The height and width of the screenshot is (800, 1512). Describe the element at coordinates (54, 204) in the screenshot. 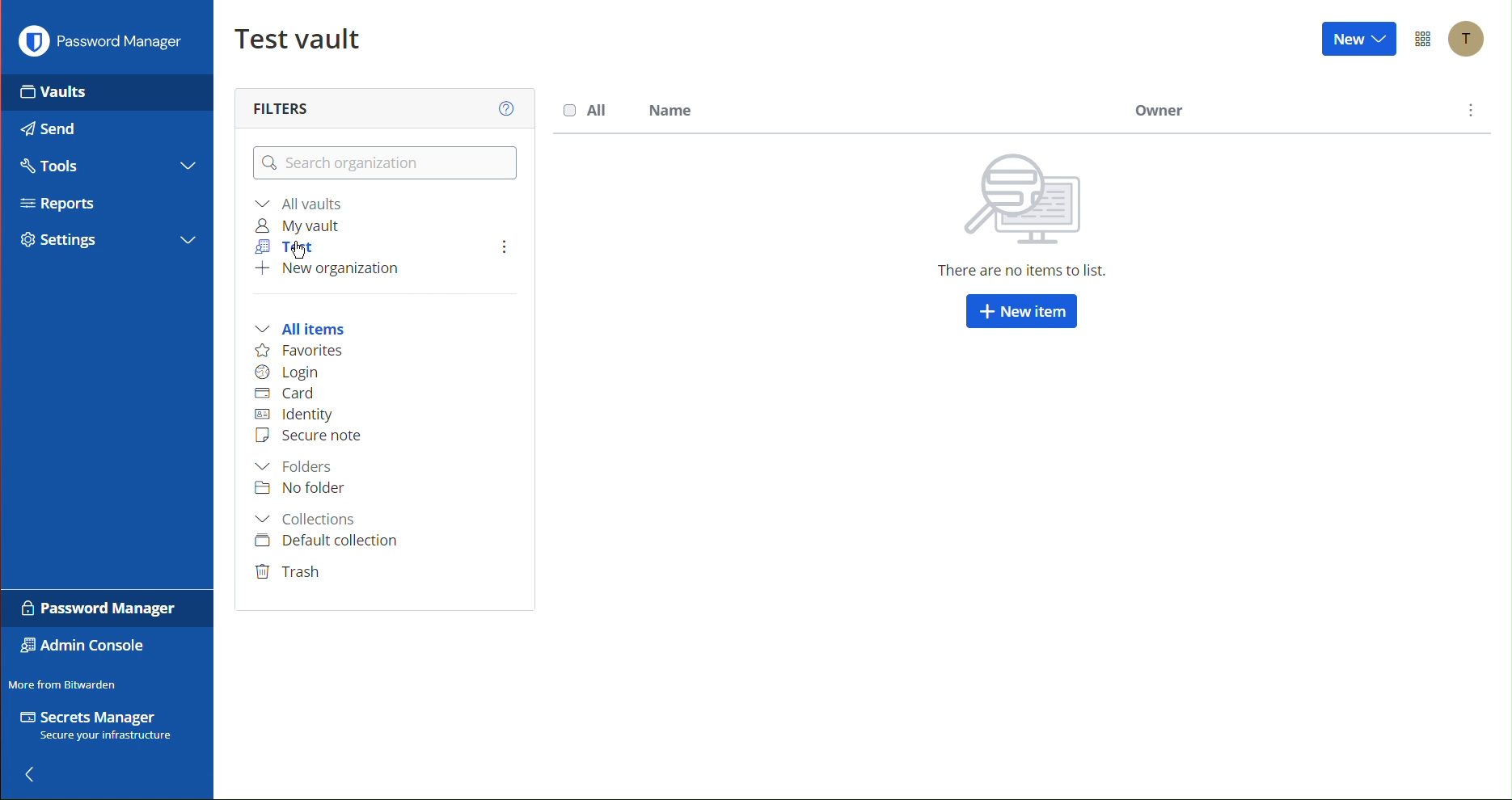

I see `Reports` at that location.